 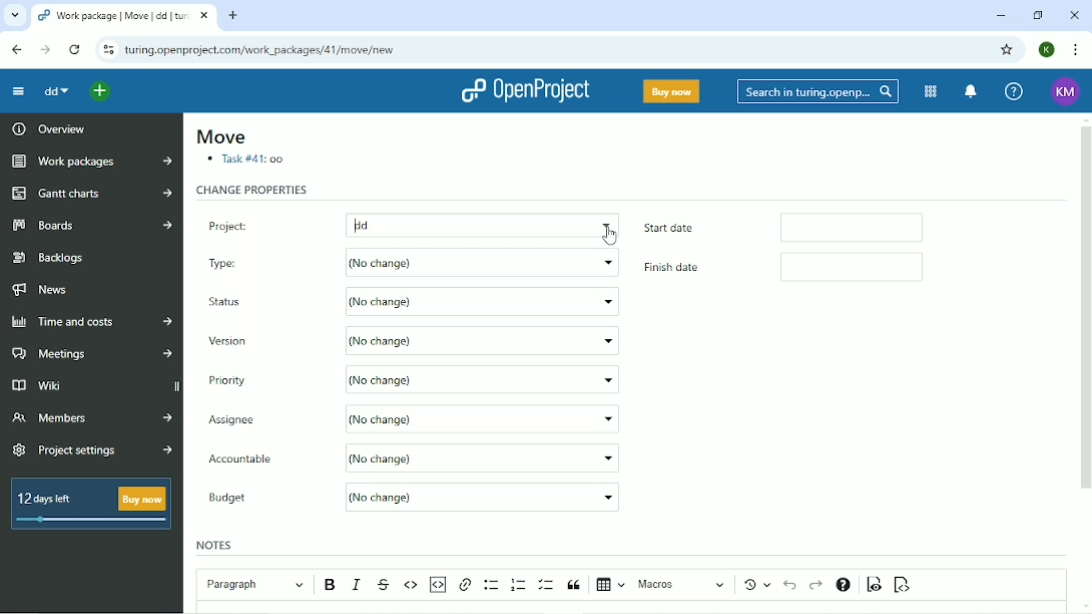 I want to click on Italic, so click(x=358, y=584).